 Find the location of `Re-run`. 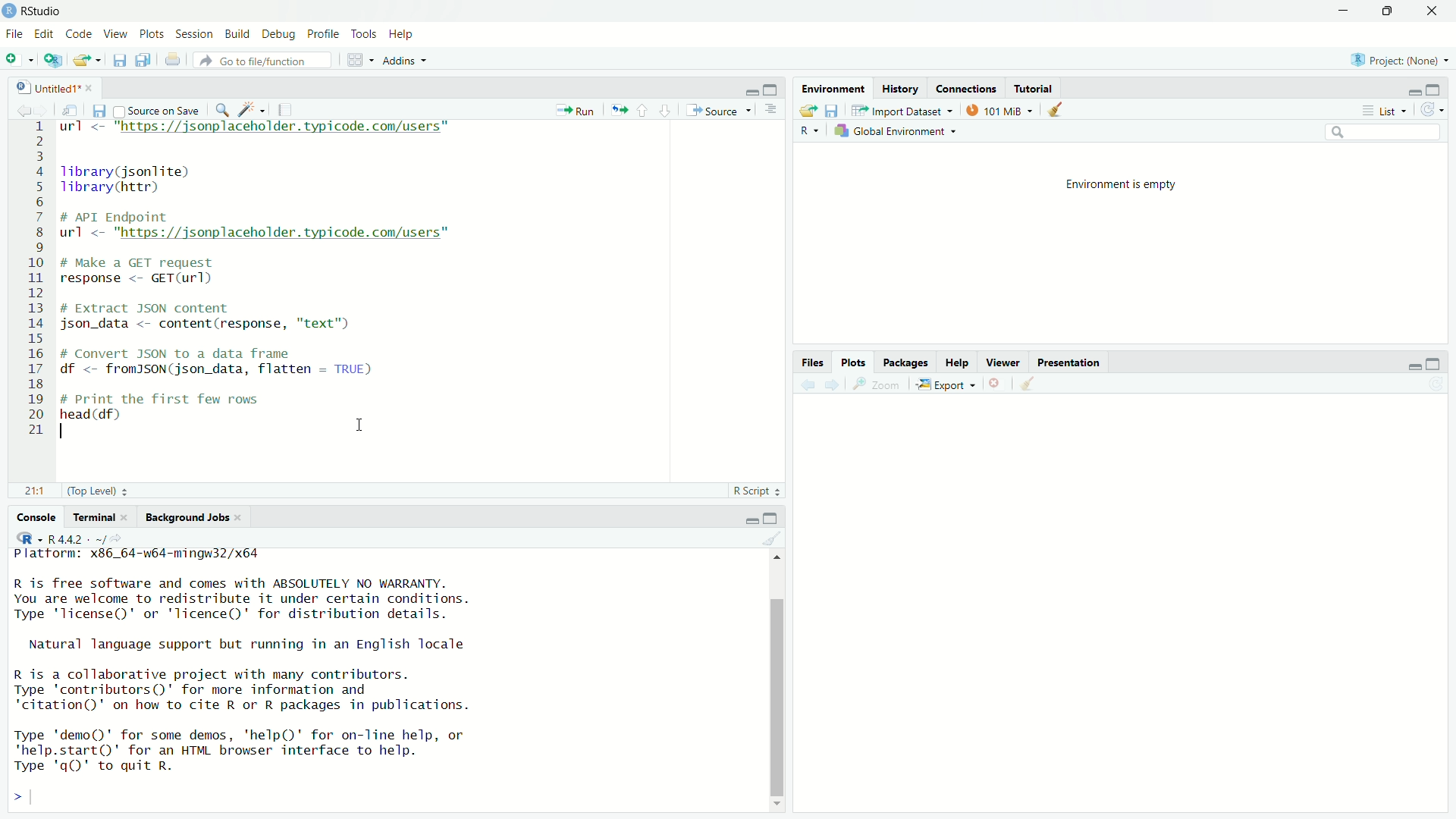

Re-run is located at coordinates (617, 108).